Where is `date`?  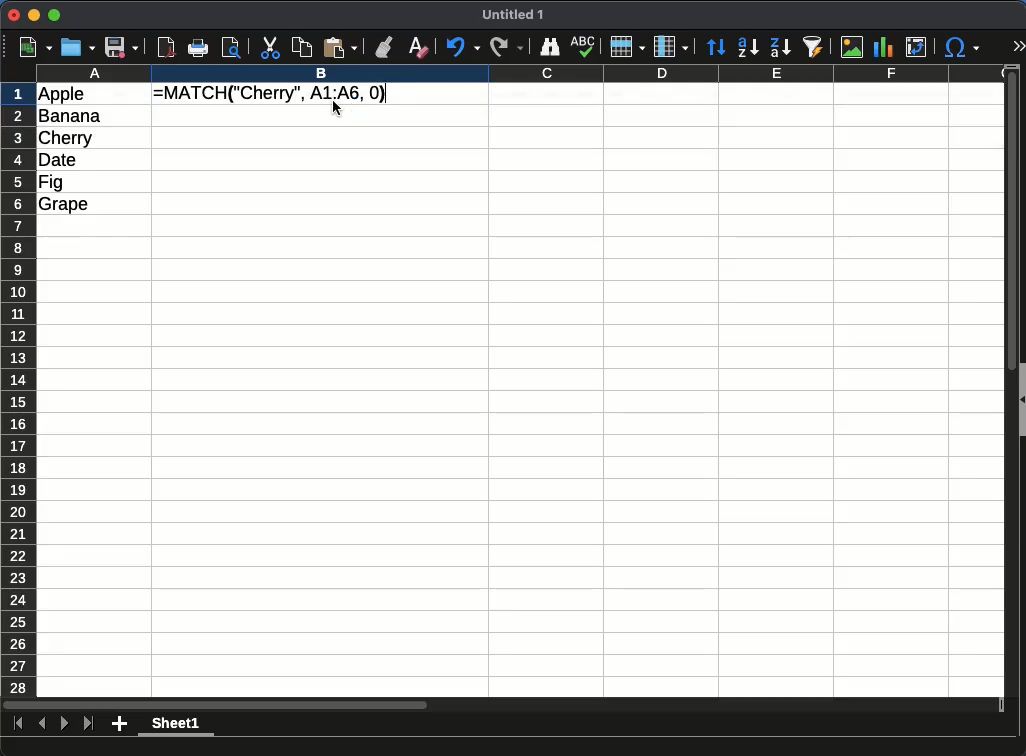 date is located at coordinates (58, 160).